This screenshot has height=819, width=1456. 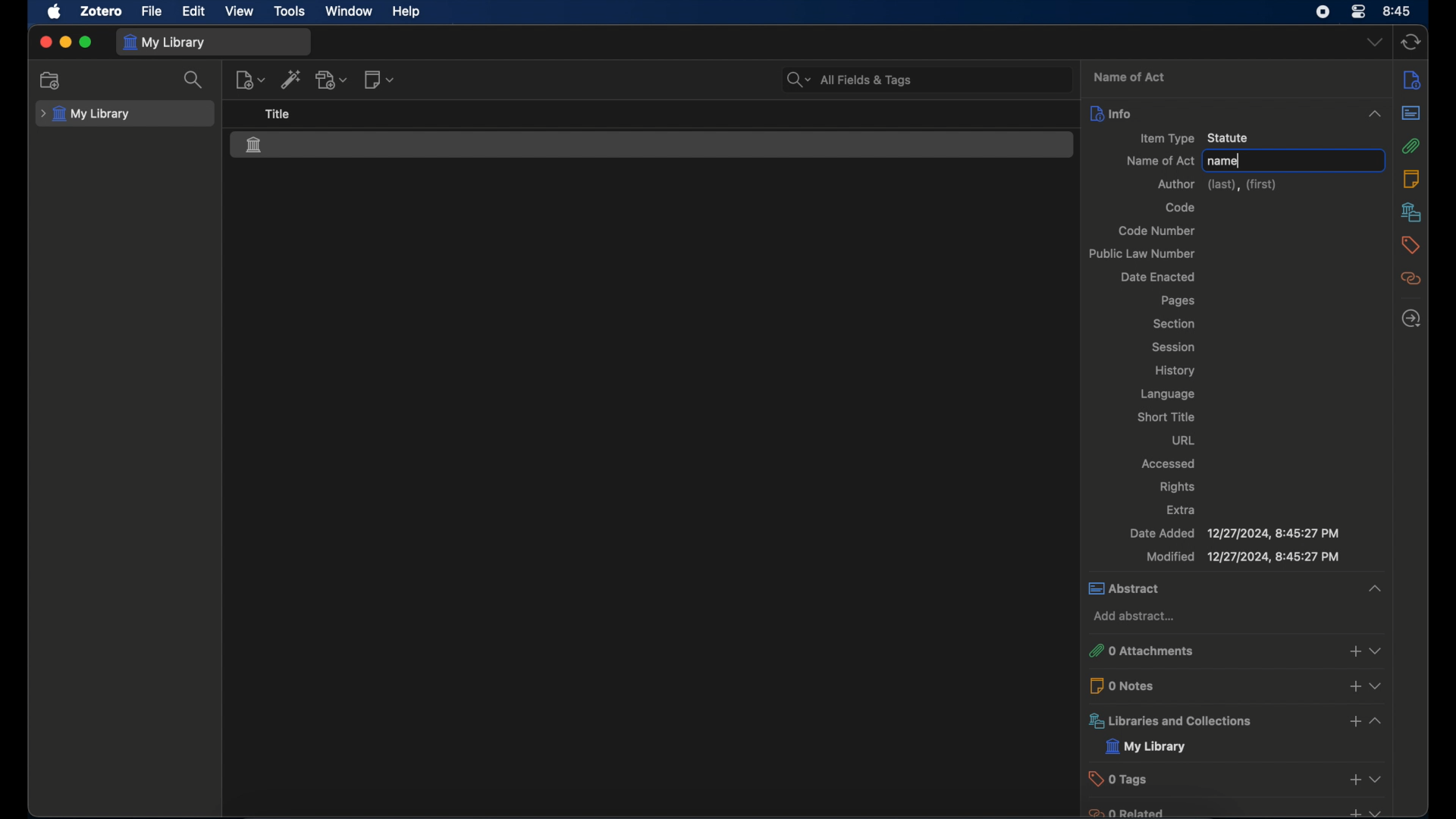 I want to click on info, so click(x=1414, y=80).